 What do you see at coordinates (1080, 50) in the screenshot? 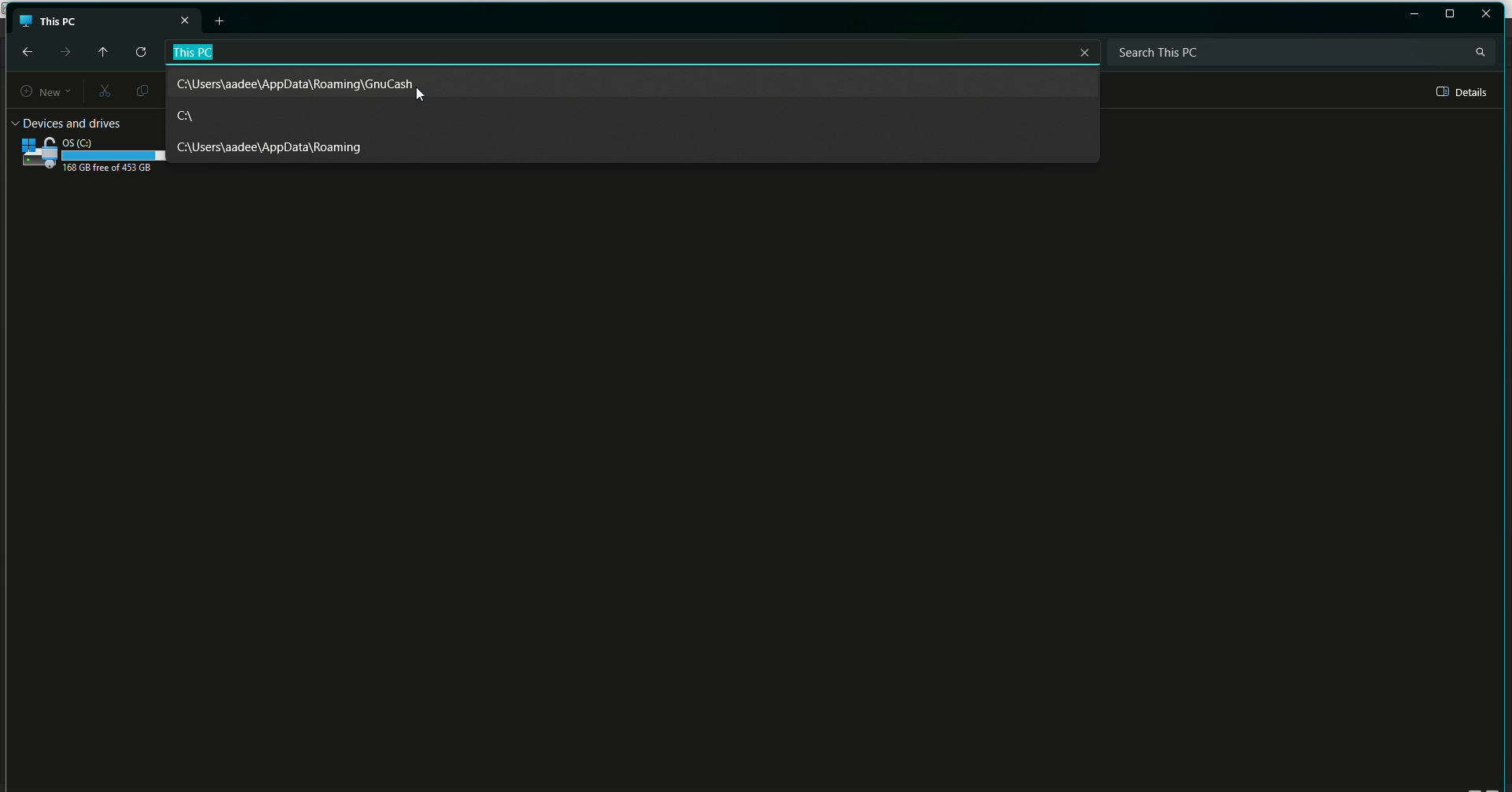
I see `Close` at bounding box center [1080, 50].